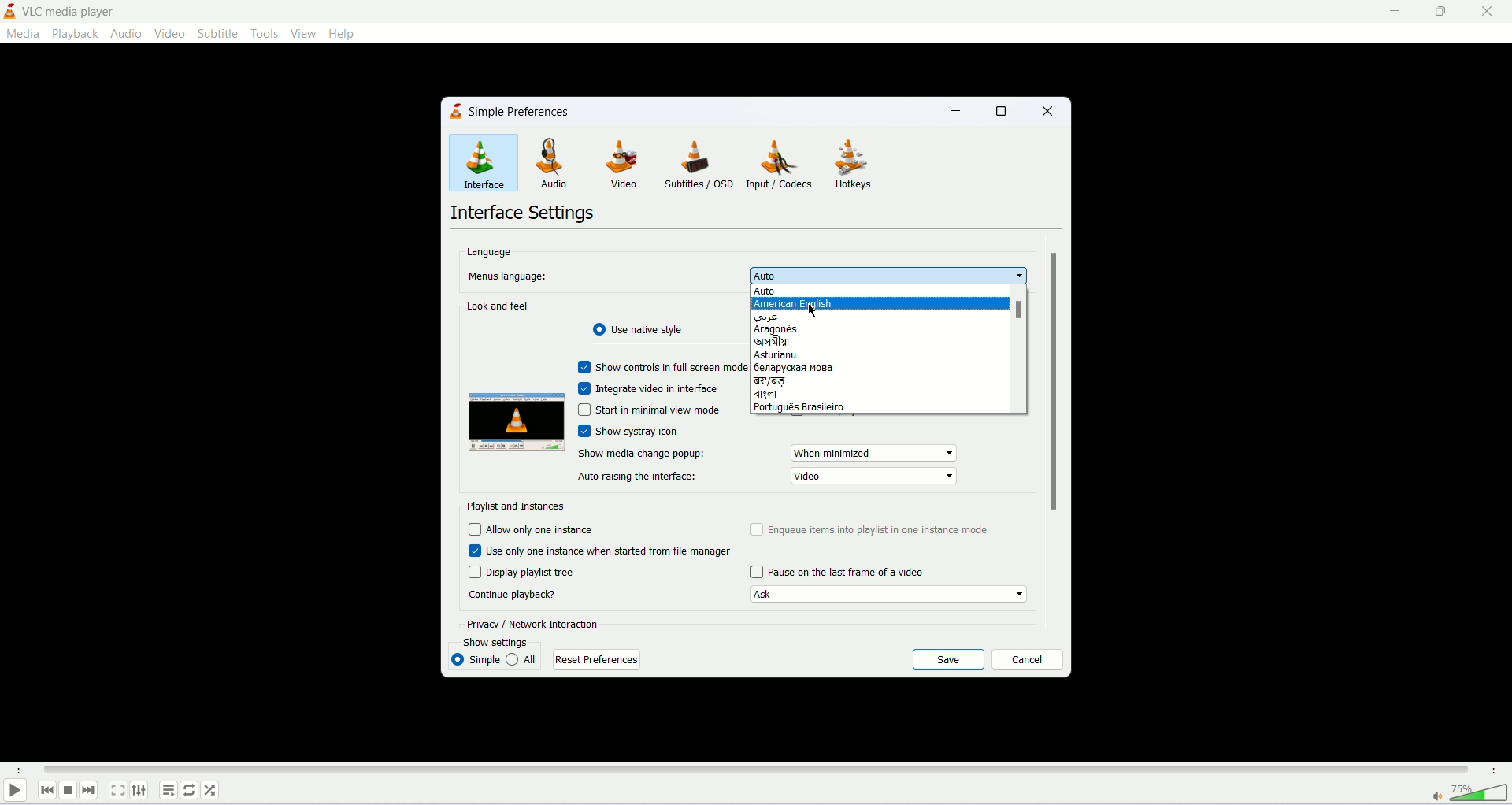  Describe the element at coordinates (1388, 10) in the screenshot. I see `minimize` at that location.